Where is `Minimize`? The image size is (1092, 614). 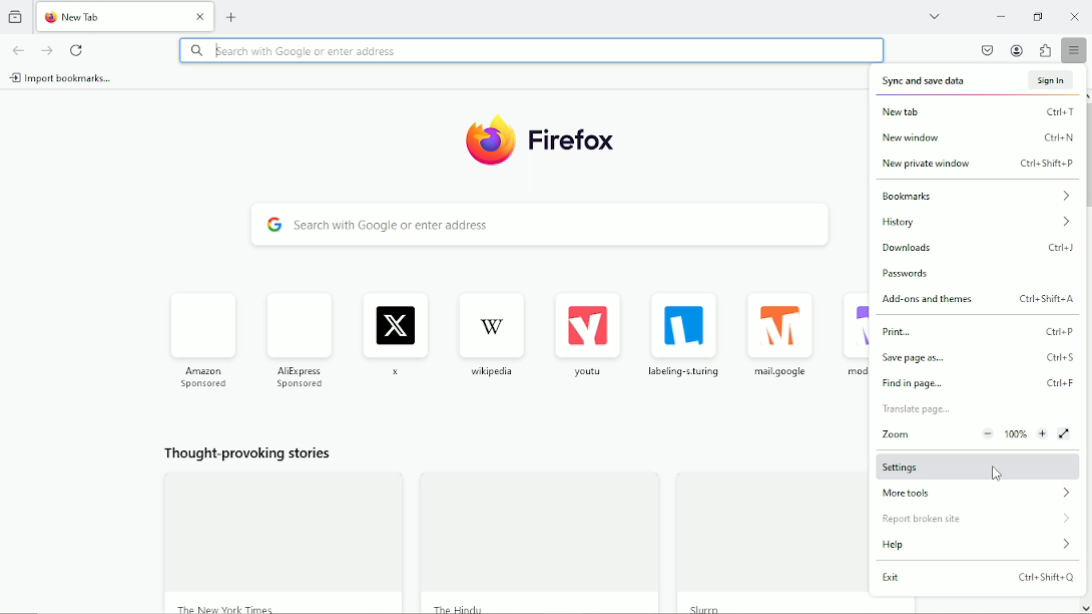
Minimize is located at coordinates (1003, 17).